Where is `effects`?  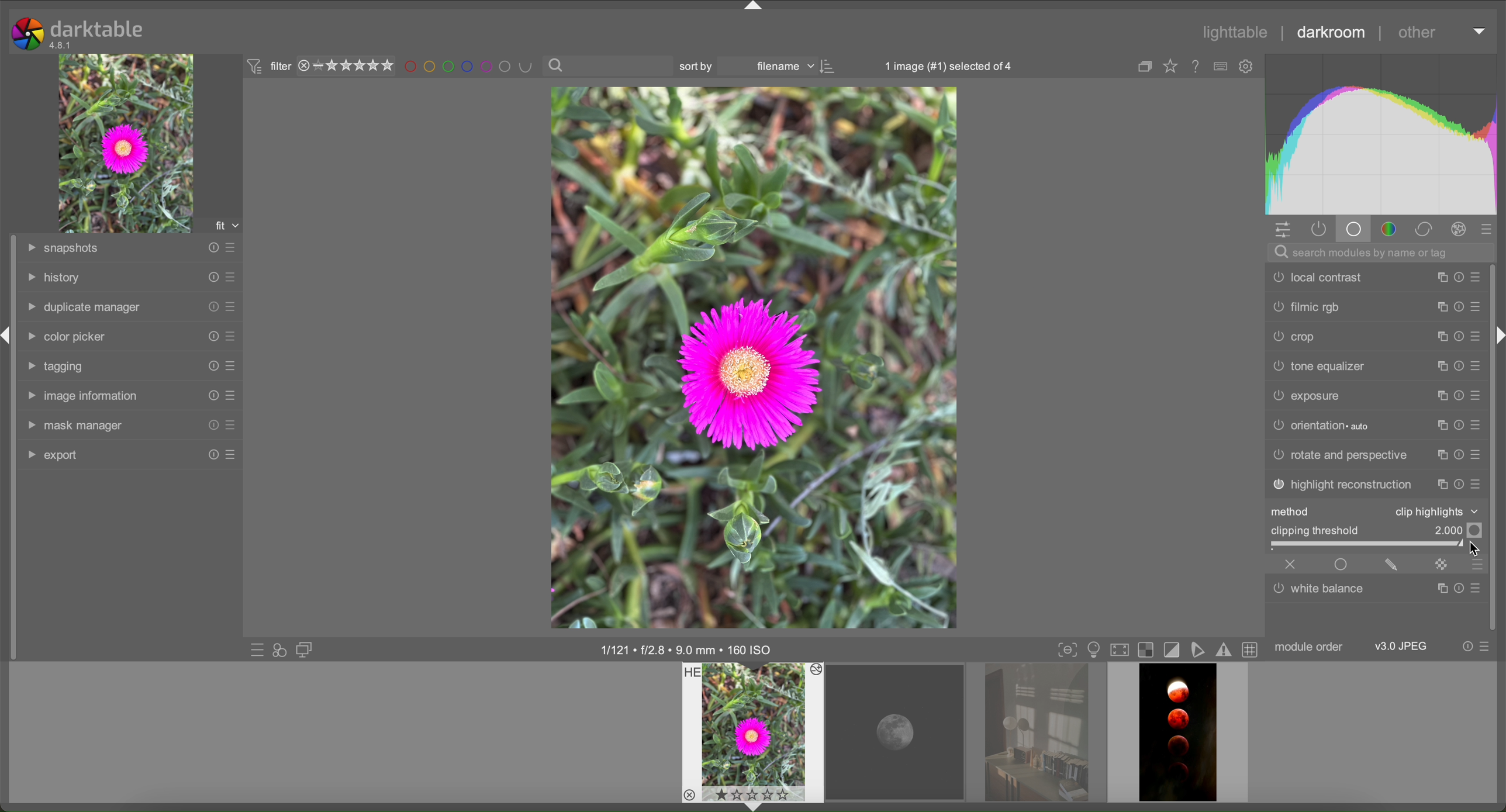
effects is located at coordinates (1458, 228).